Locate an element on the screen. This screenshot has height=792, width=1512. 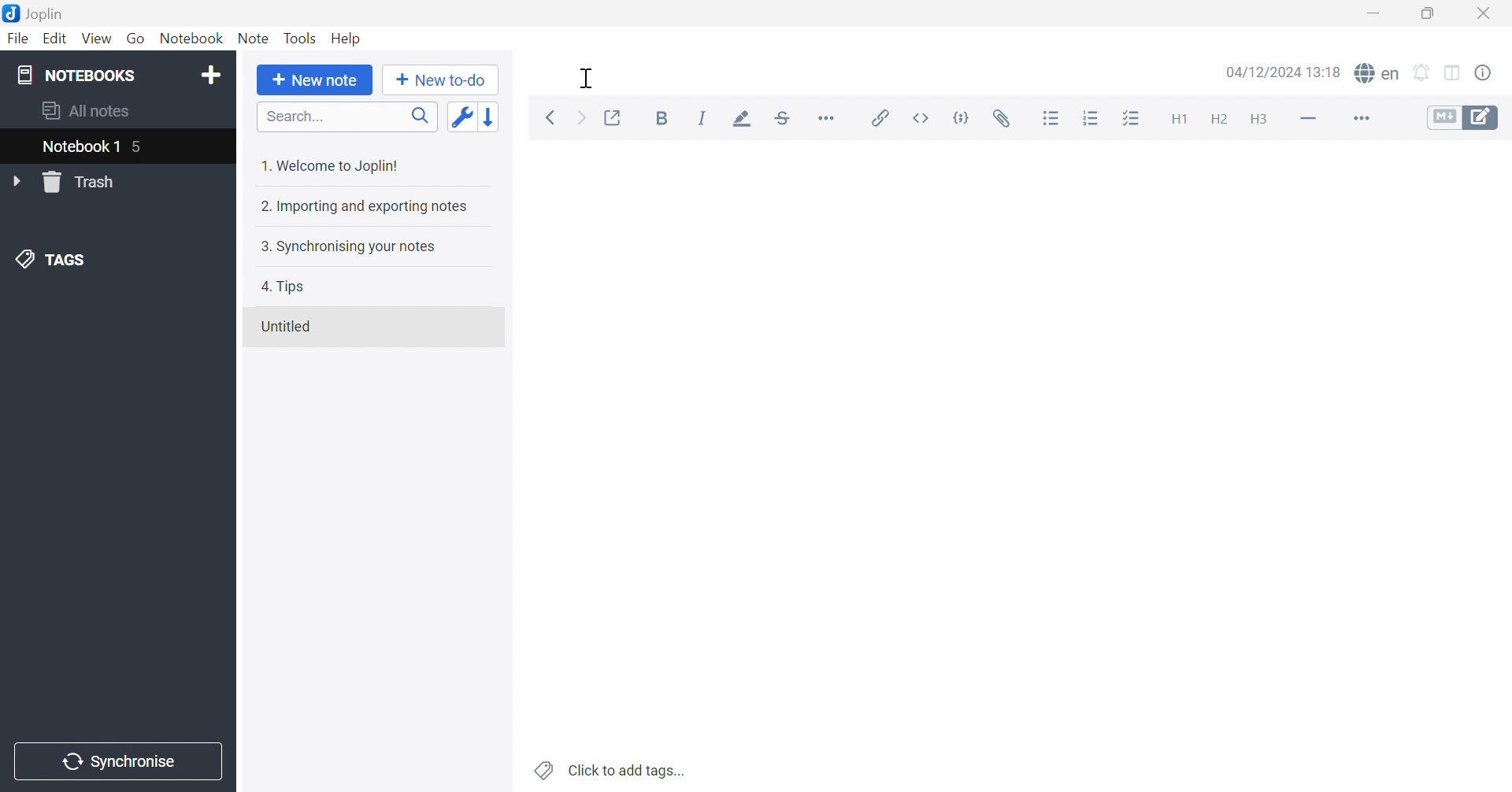
Toggle sort order field is located at coordinates (460, 116).